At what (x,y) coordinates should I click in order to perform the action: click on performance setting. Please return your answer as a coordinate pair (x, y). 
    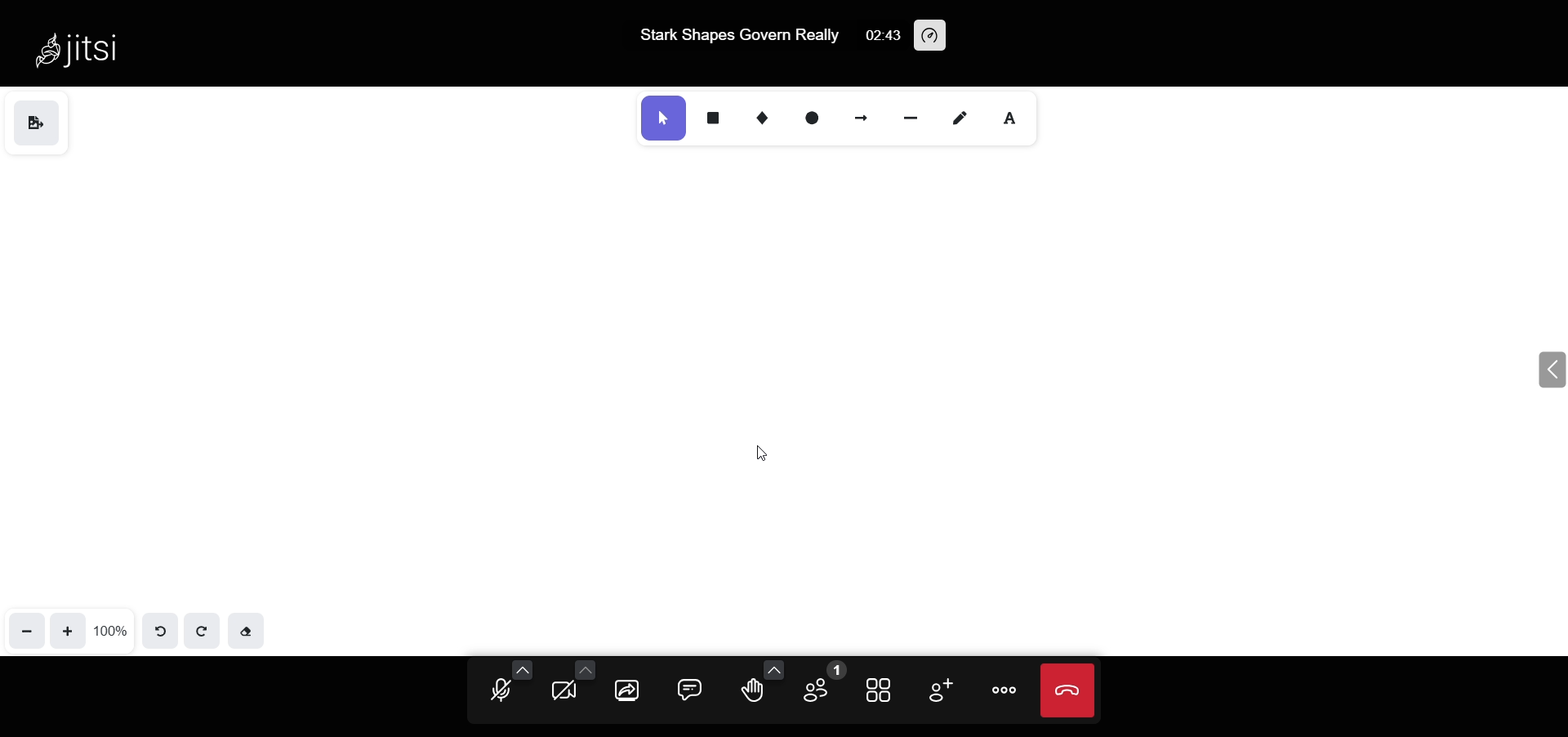
    Looking at the image, I should click on (933, 37).